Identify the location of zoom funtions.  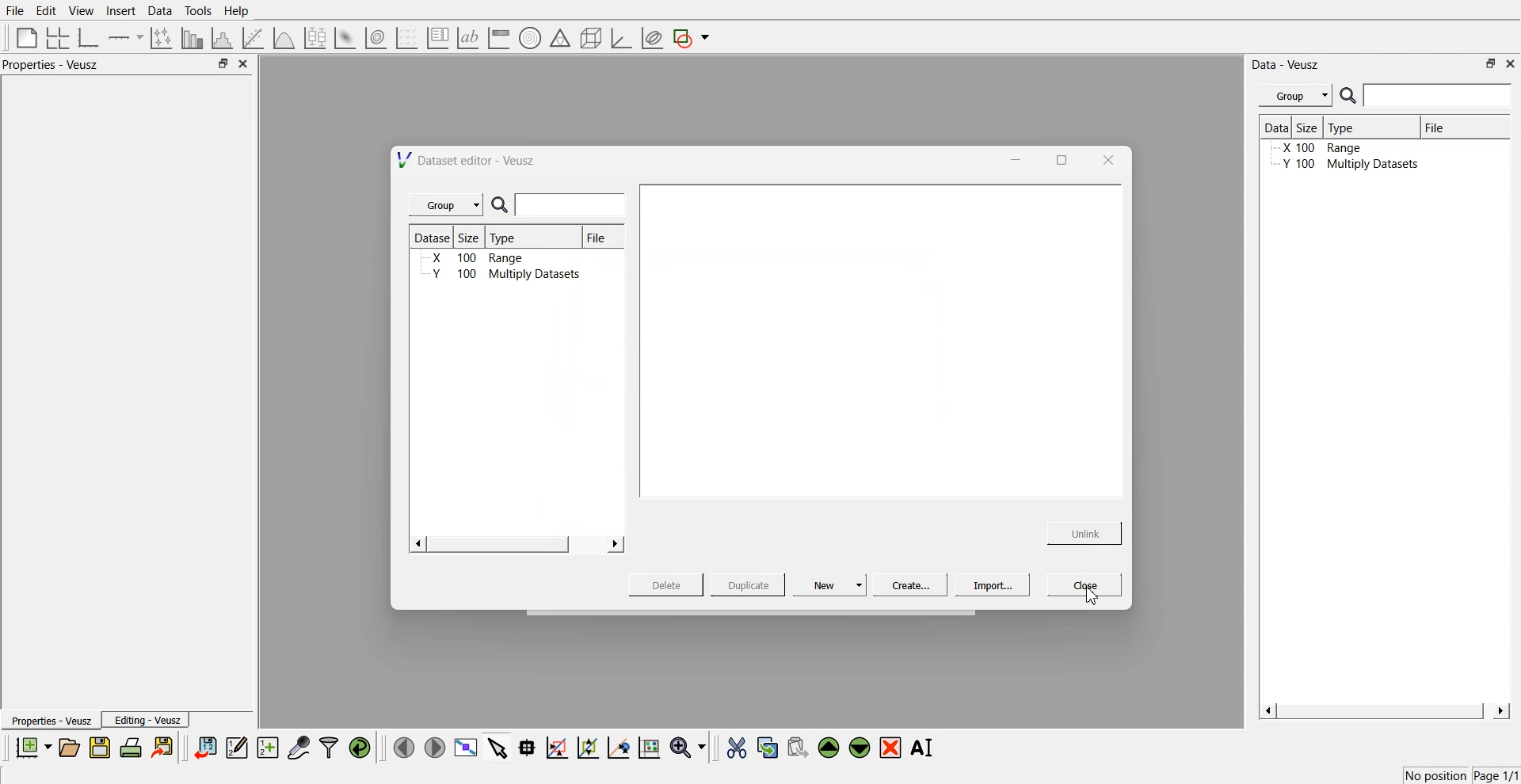
(688, 748).